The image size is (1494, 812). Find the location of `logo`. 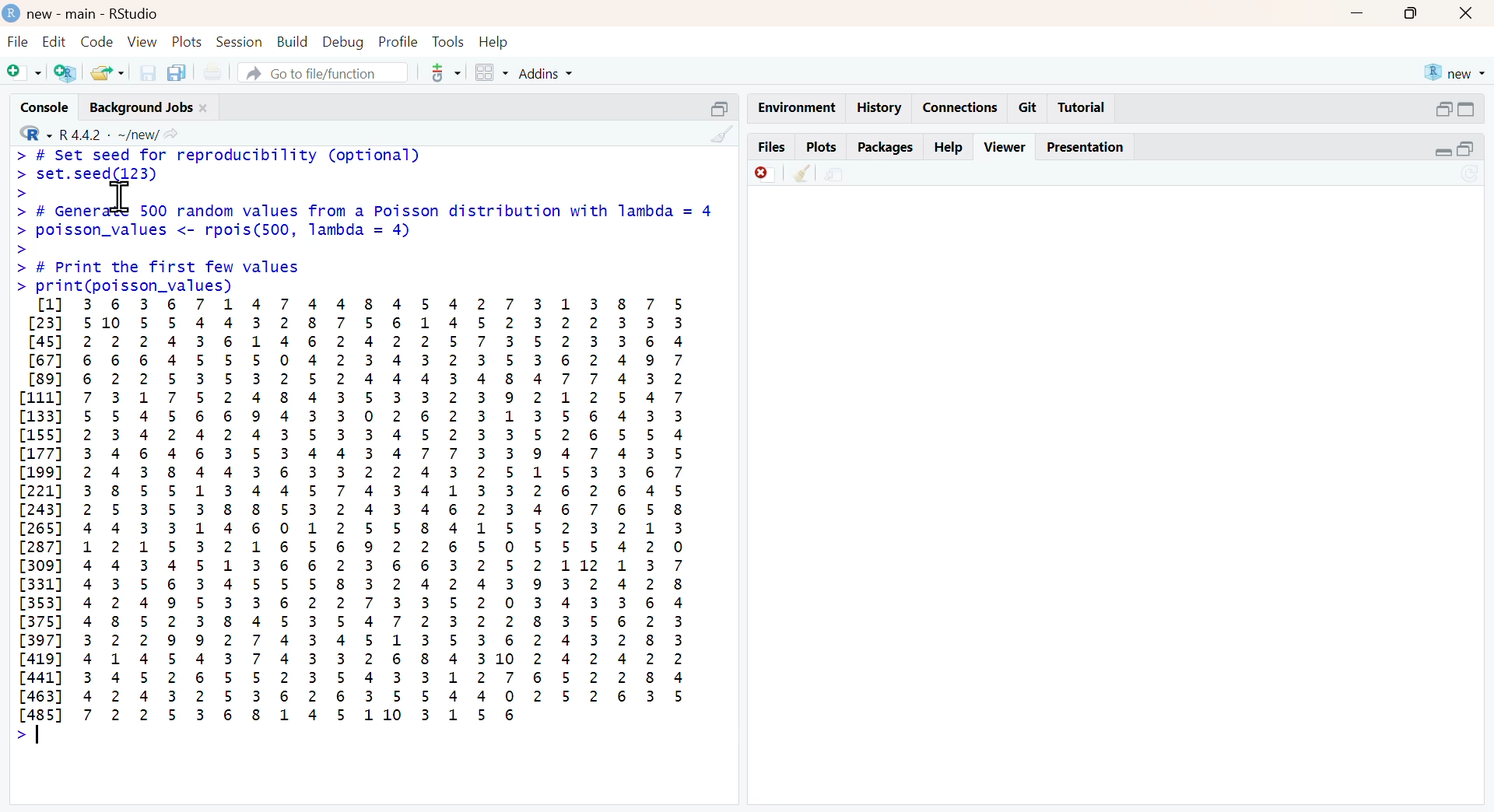

logo is located at coordinates (11, 12).